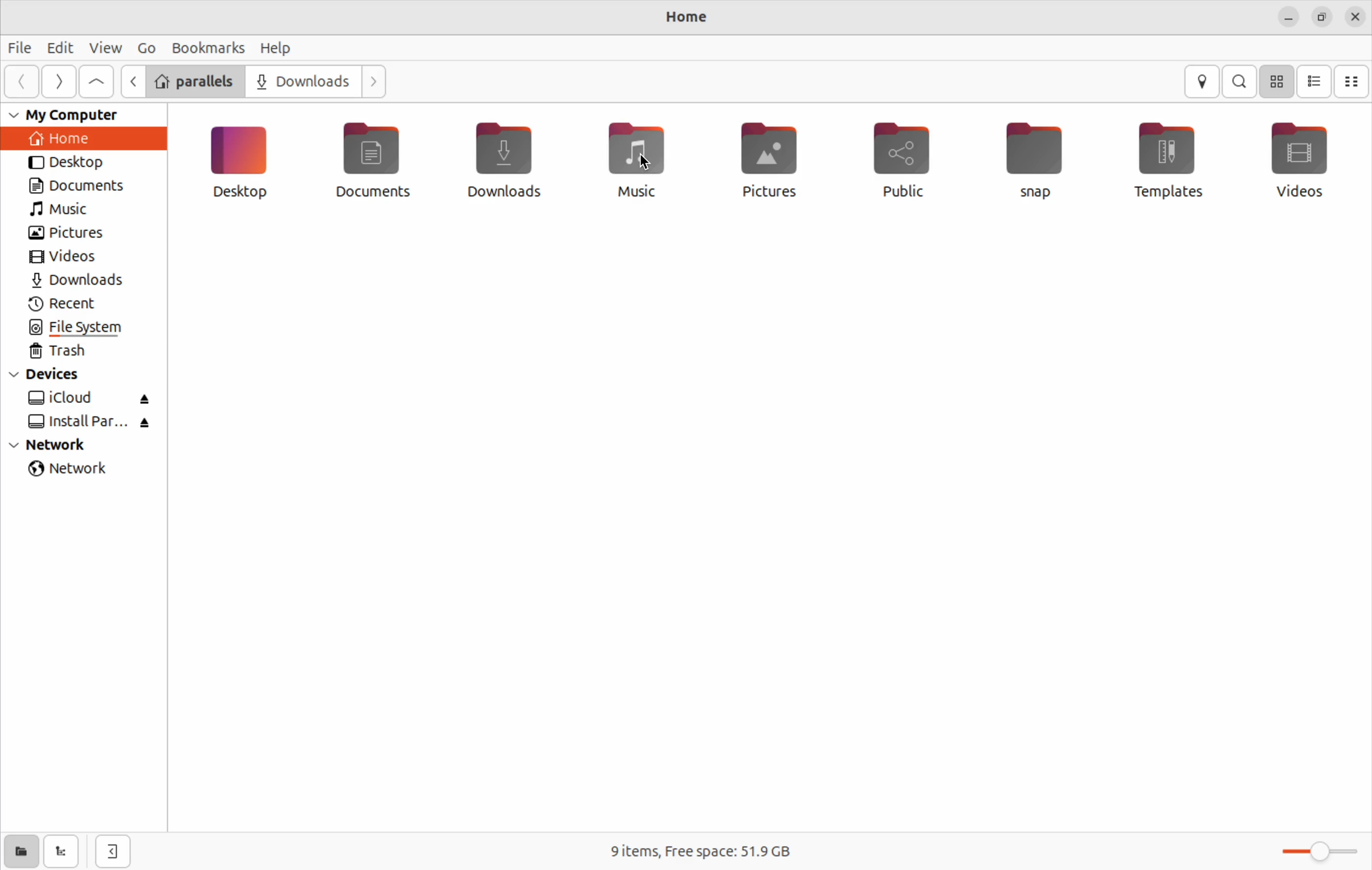 The image size is (1372, 870). Describe the element at coordinates (1317, 82) in the screenshot. I see `list view` at that location.